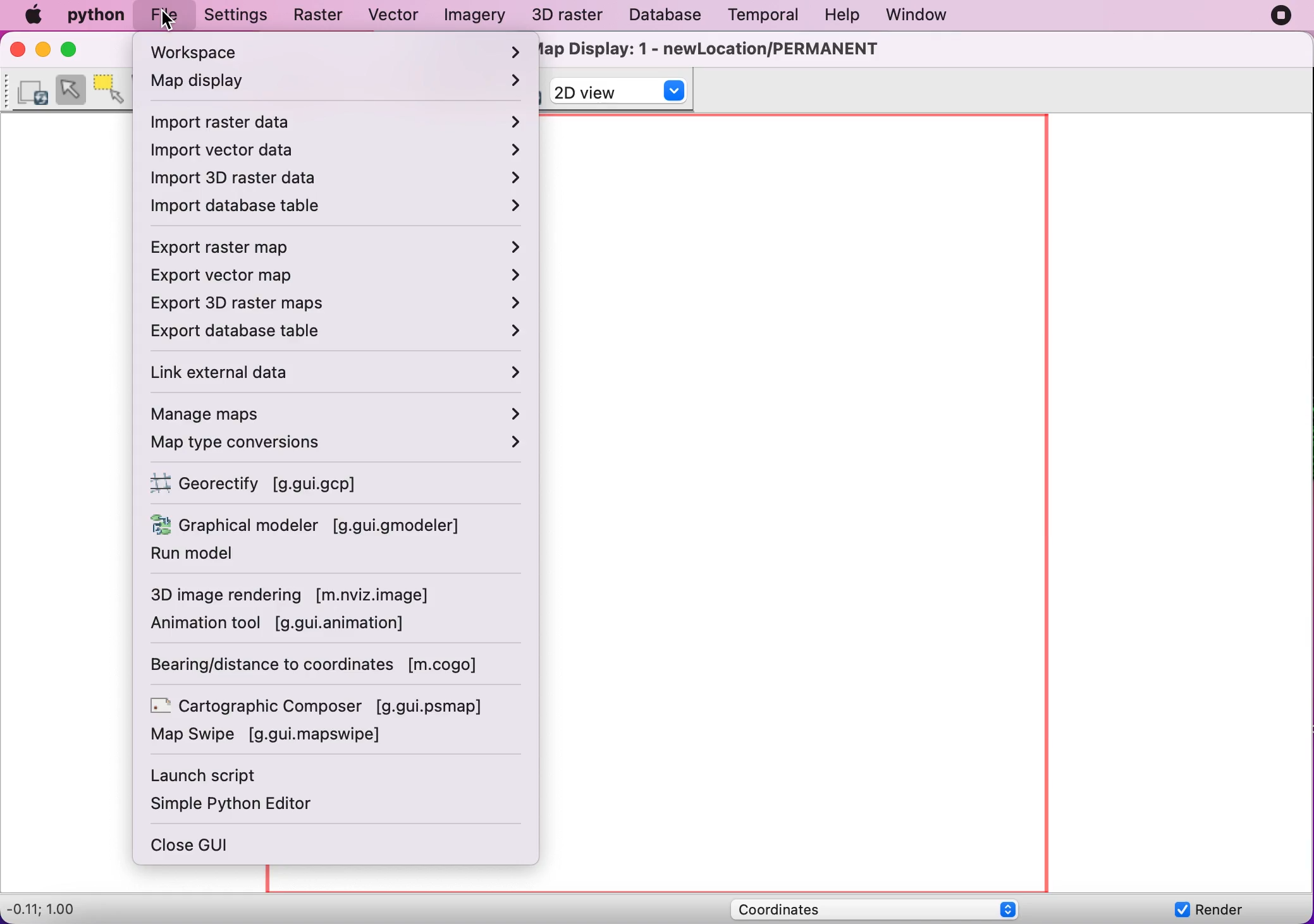 Image resolution: width=1314 pixels, height=924 pixels. I want to click on temporal, so click(770, 17).